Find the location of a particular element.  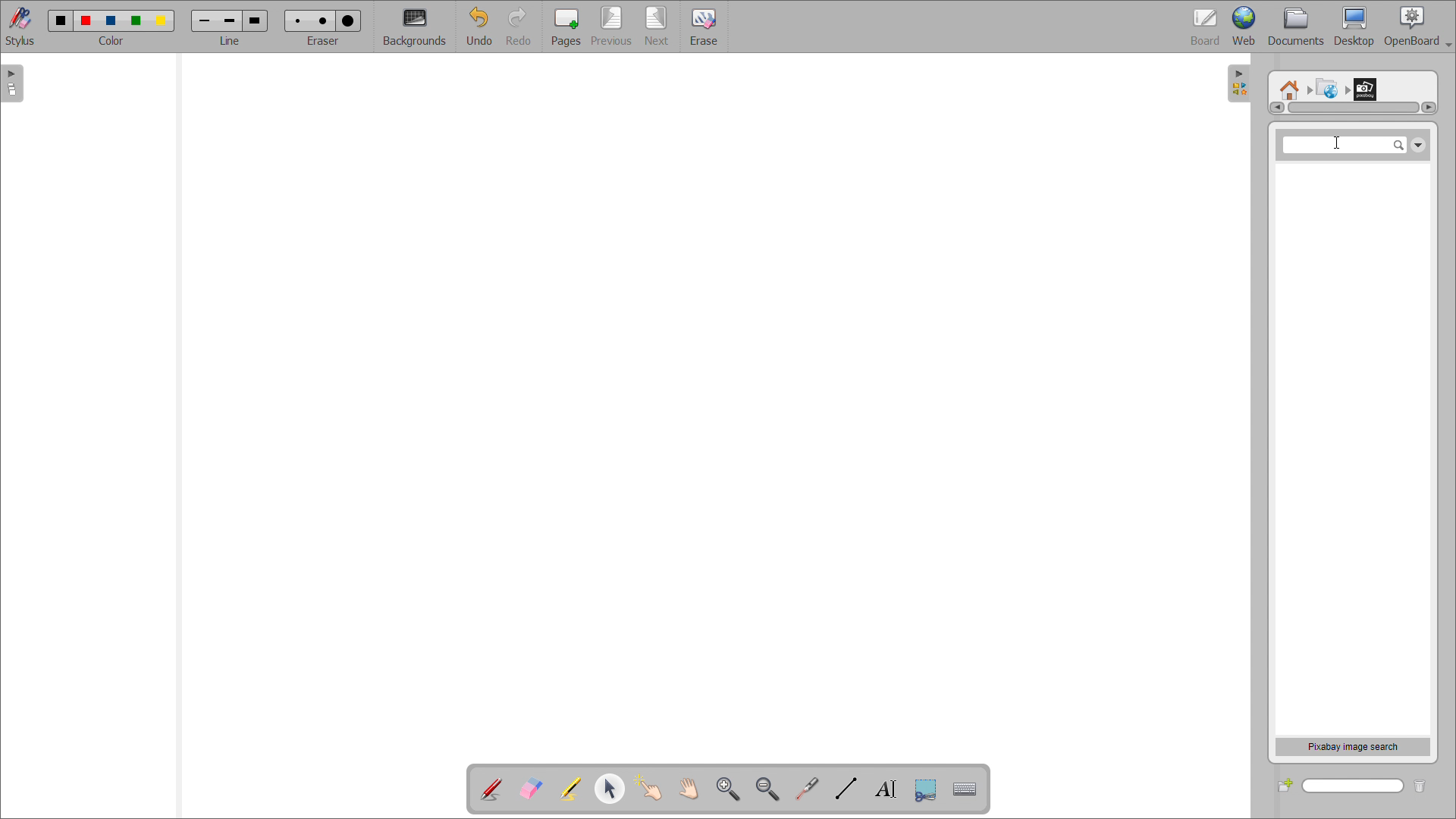

board space is located at coordinates (703, 404).